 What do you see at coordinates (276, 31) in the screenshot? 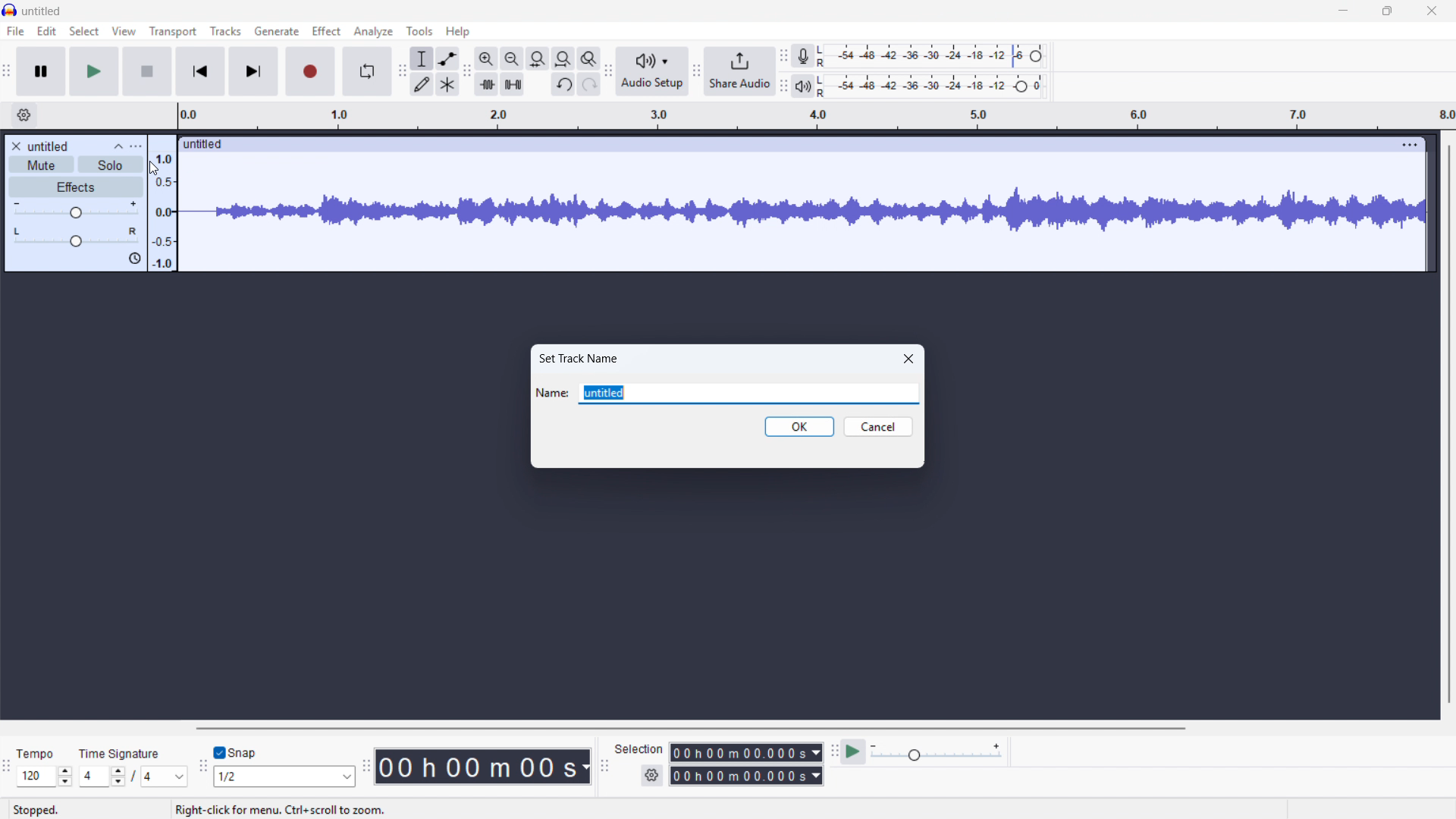
I see `Generate ` at bounding box center [276, 31].